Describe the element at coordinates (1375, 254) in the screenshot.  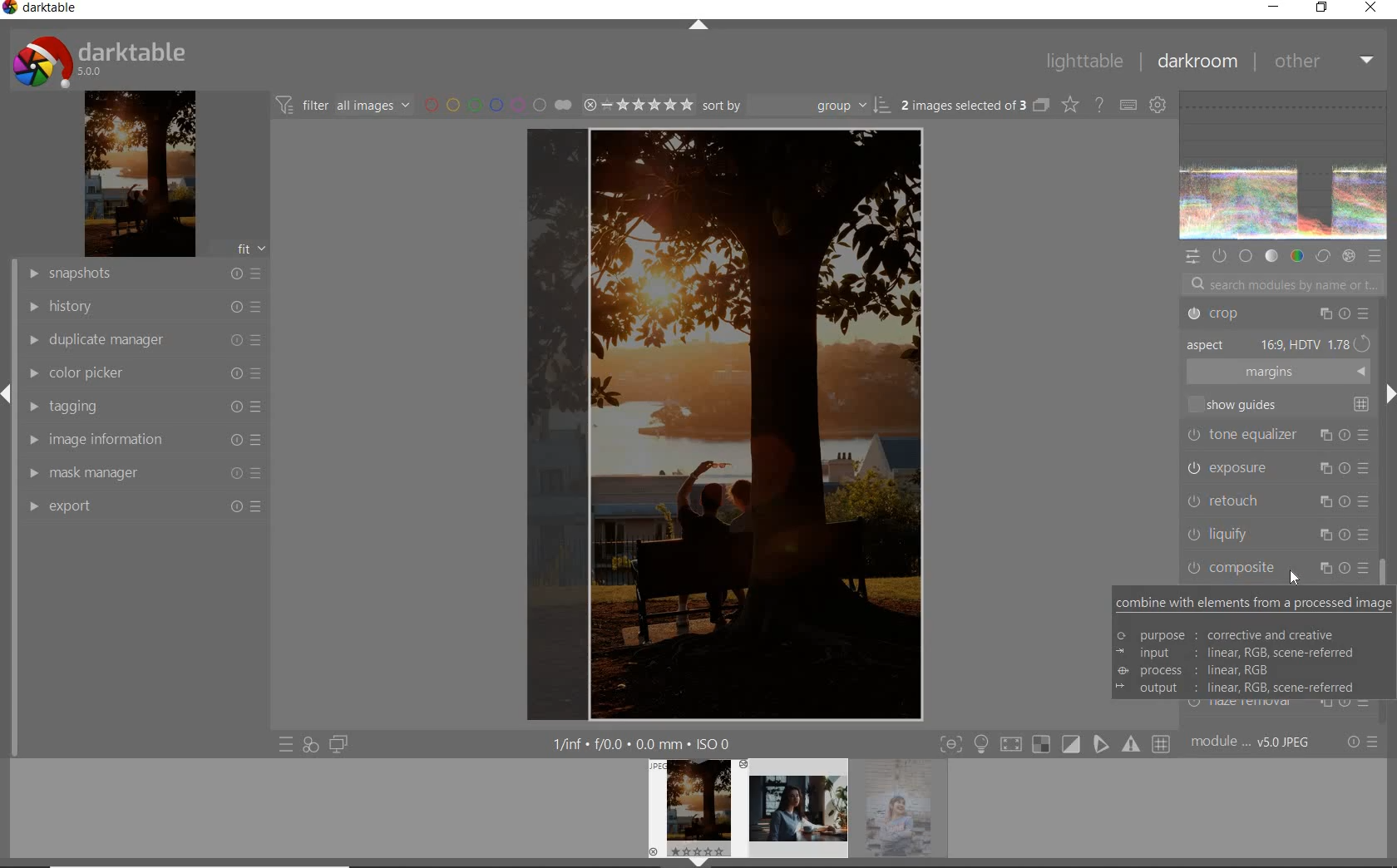
I see `preset ` at that location.